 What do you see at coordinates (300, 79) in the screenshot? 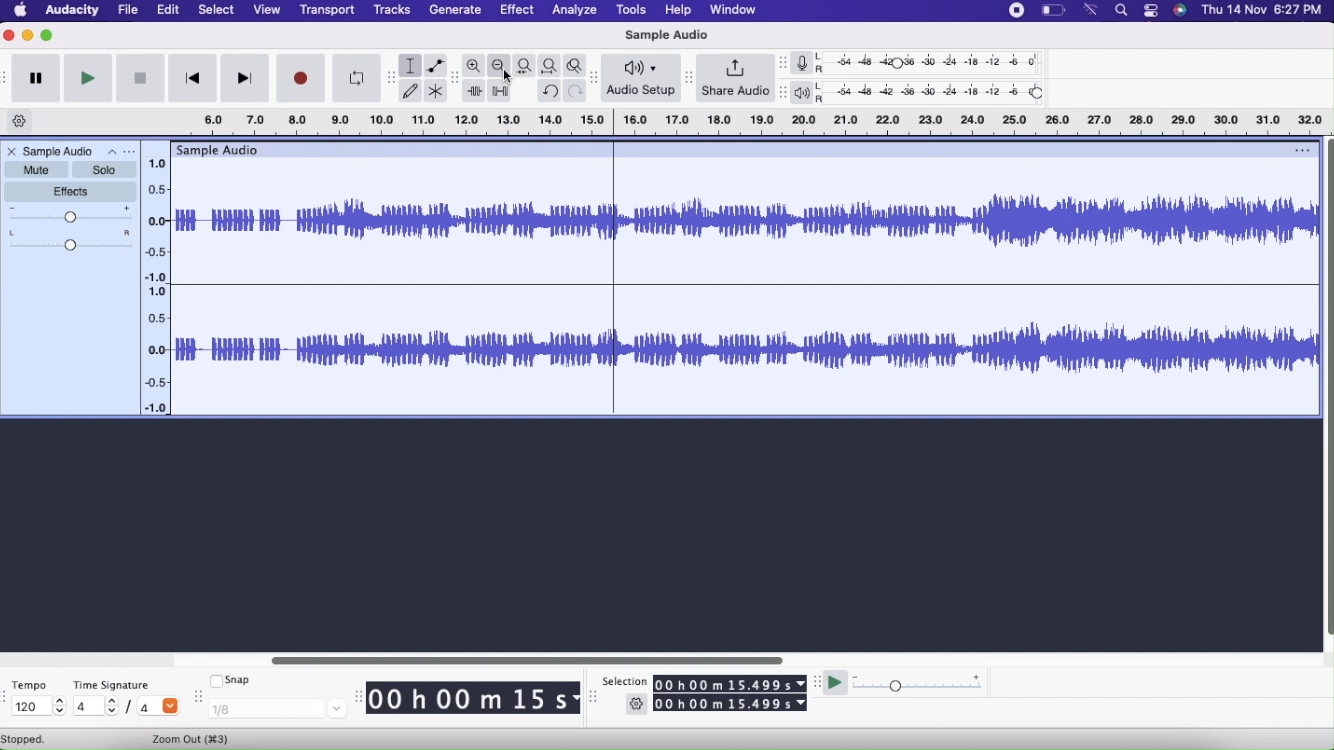
I see `Record` at bounding box center [300, 79].